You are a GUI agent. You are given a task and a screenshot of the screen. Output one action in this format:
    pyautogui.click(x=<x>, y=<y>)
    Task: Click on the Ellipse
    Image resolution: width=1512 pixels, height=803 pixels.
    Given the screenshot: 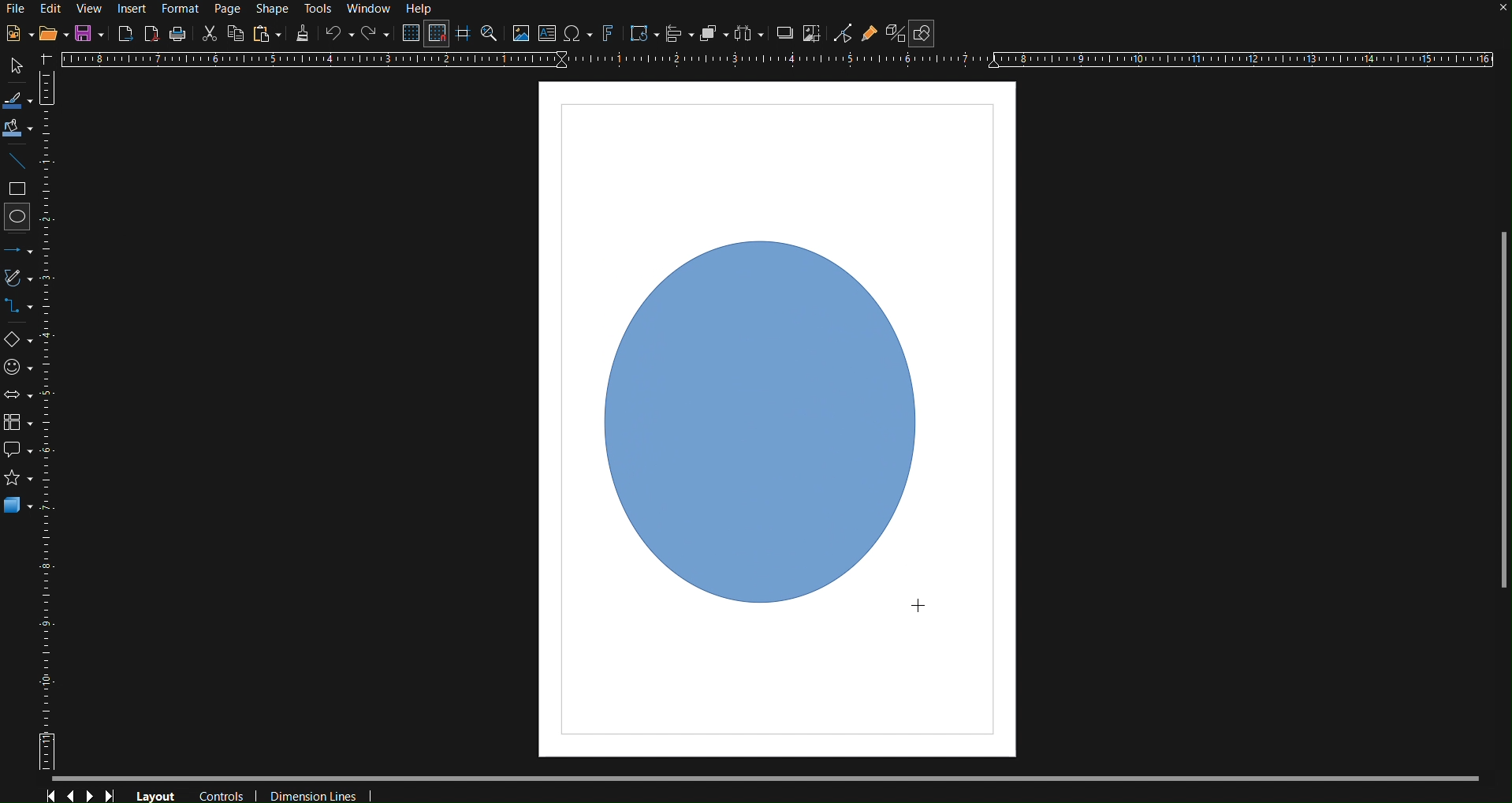 What is the action you would take?
    pyautogui.click(x=20, y=216)
    